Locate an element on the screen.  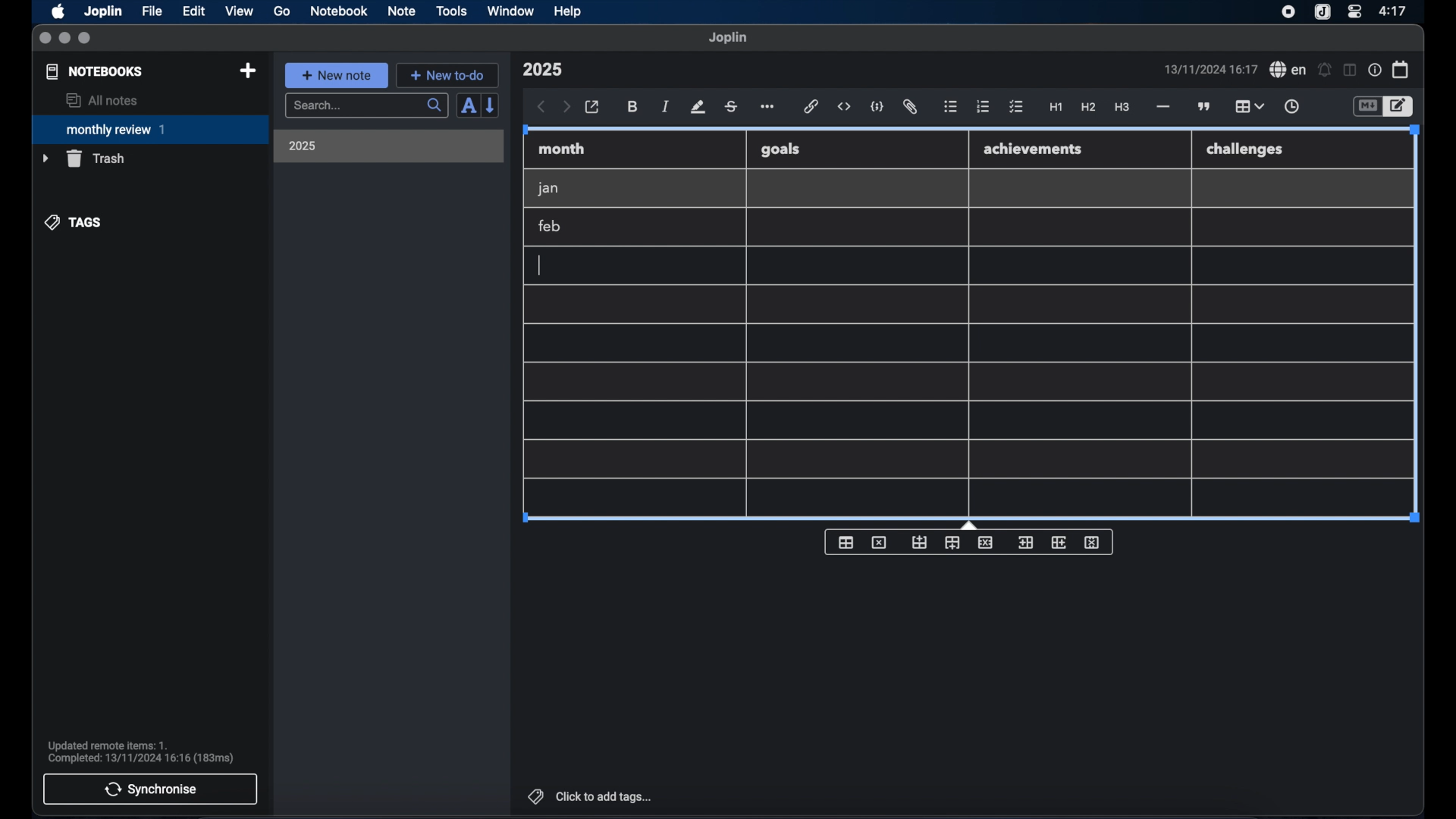
new notebook is located at coordinates (247, 71).